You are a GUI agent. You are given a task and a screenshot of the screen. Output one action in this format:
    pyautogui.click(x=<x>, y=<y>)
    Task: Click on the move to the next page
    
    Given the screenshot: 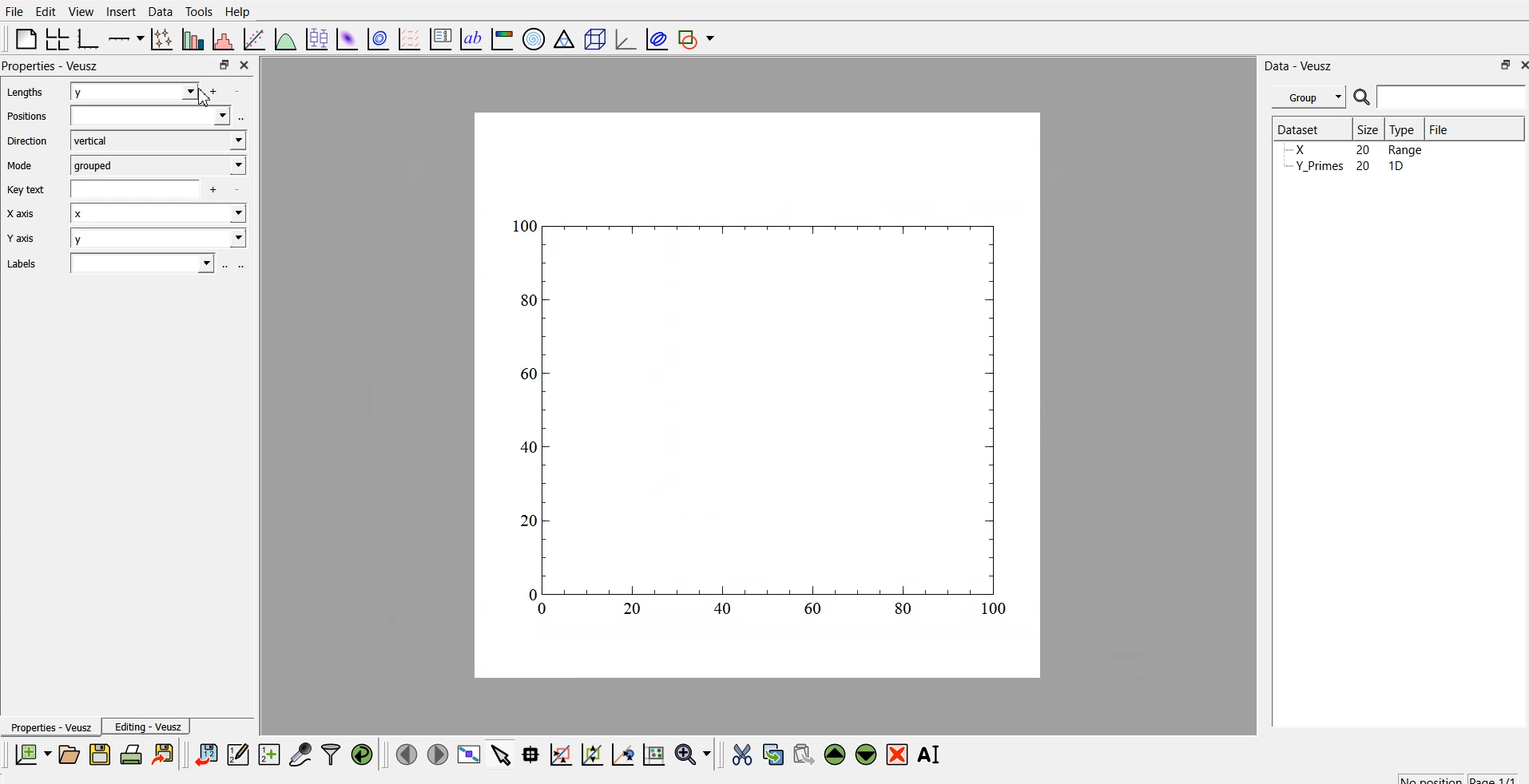 What is the action you would take?
    pyautogui.click(x=436, y=754)
    